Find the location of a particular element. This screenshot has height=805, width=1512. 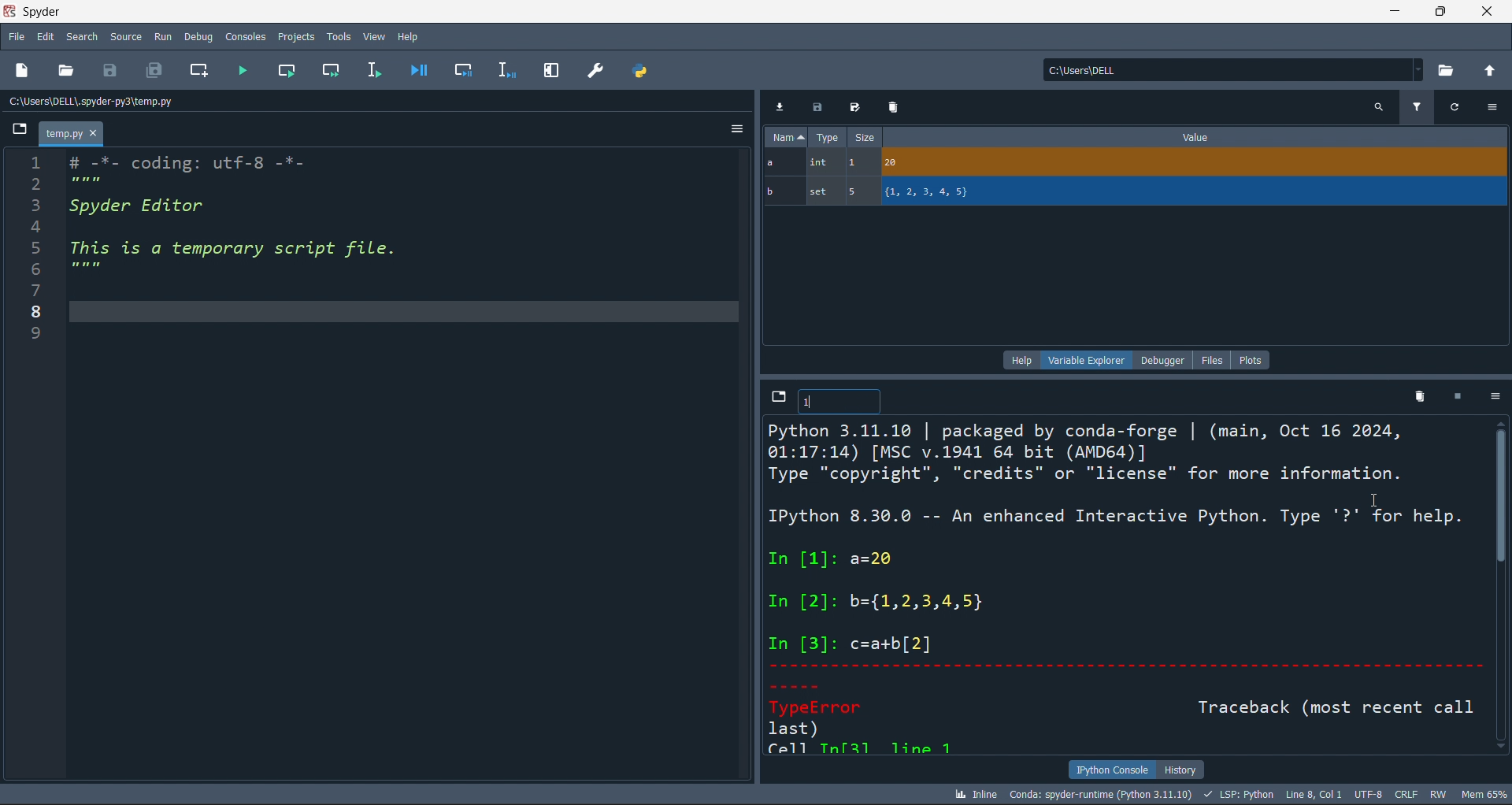

save data is located at coordinates (815, 108).